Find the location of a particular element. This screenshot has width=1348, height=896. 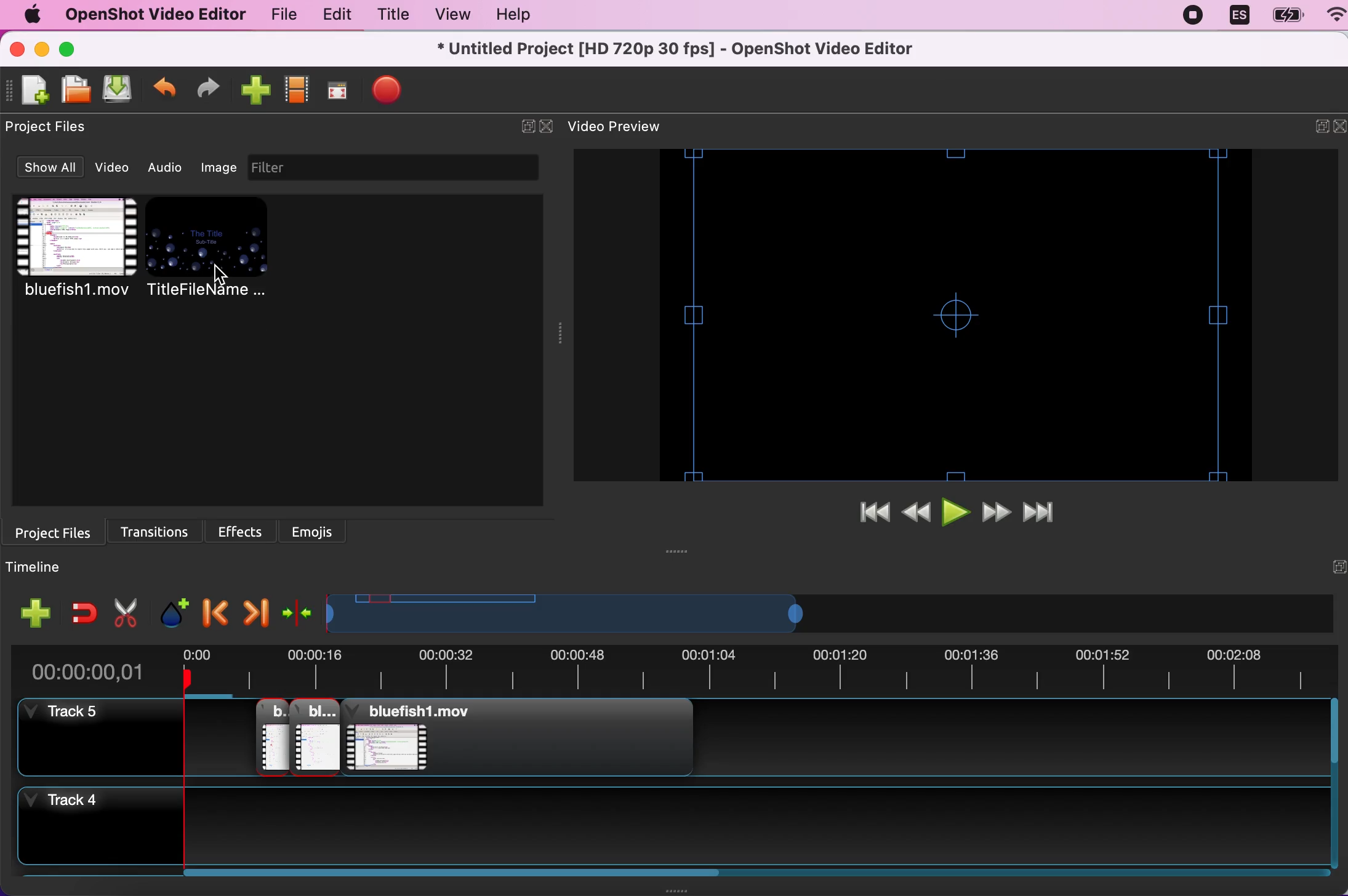

expand/hide is located at coordinates (524, 127).